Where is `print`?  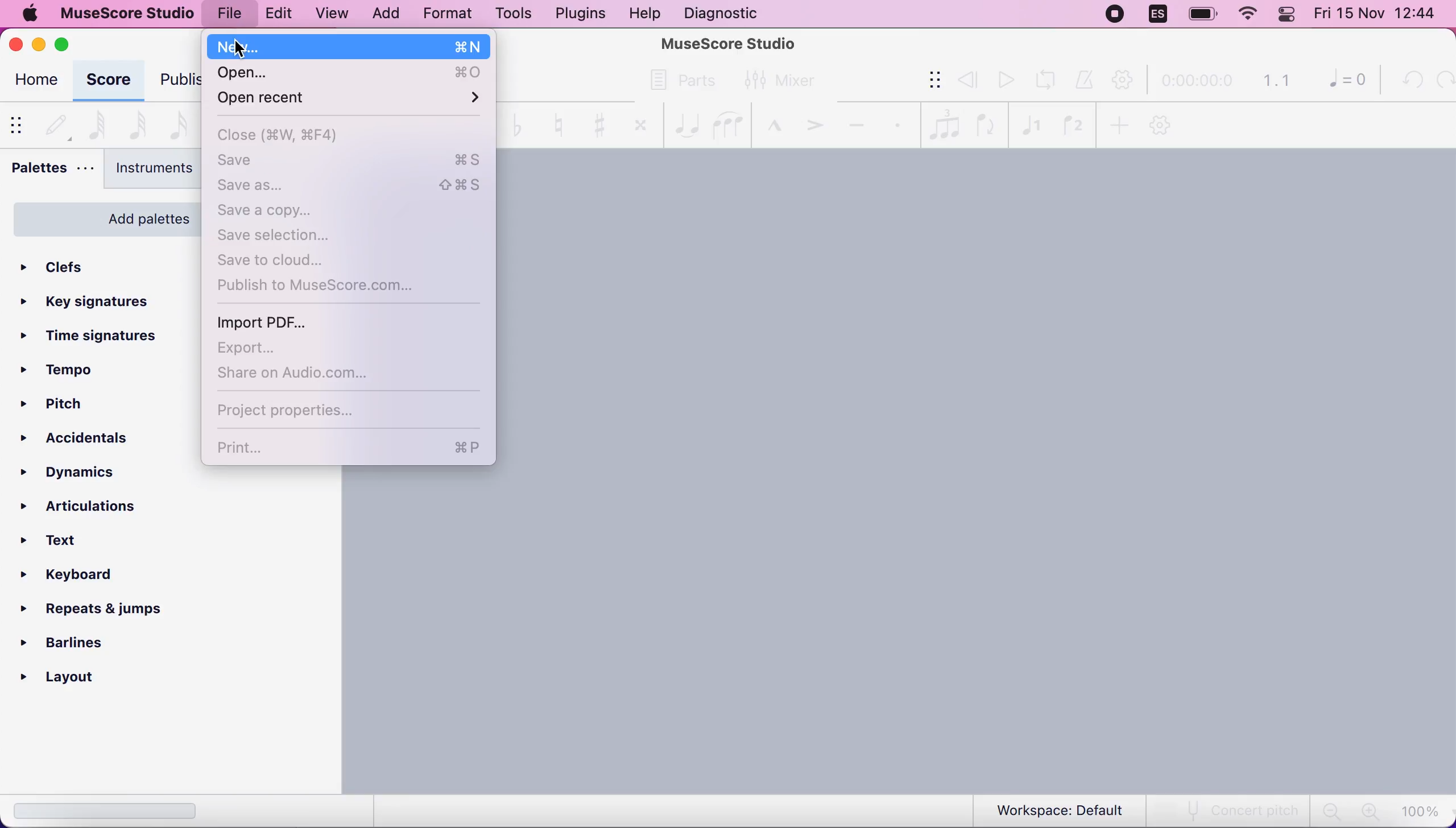
print is located at coordinates (350, 445).